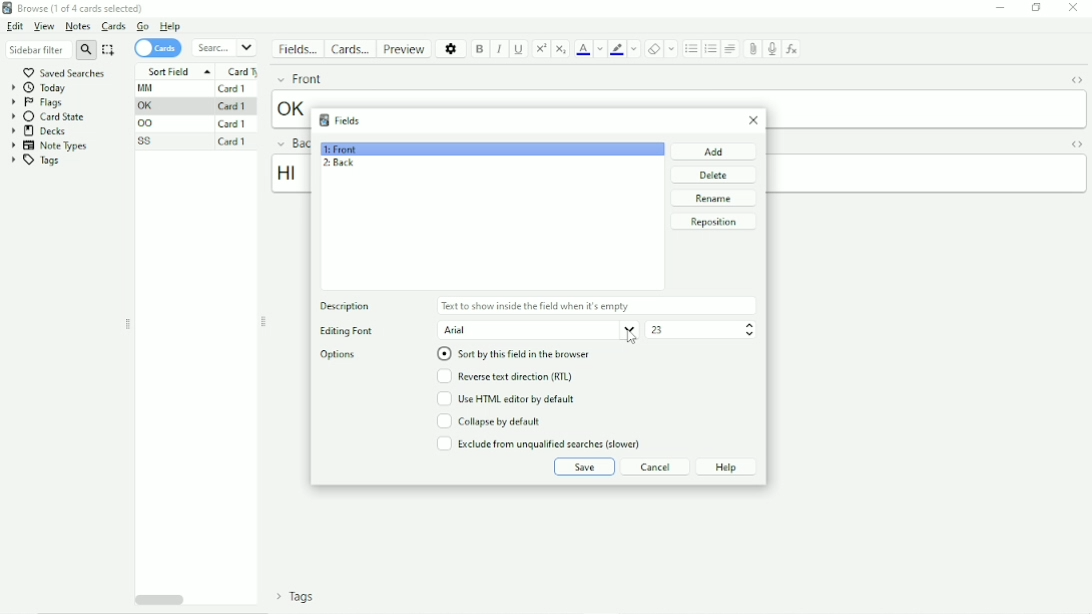 The height and width of the screenshot is (614, 1092). I want to click on Flags, so click(37, 103).